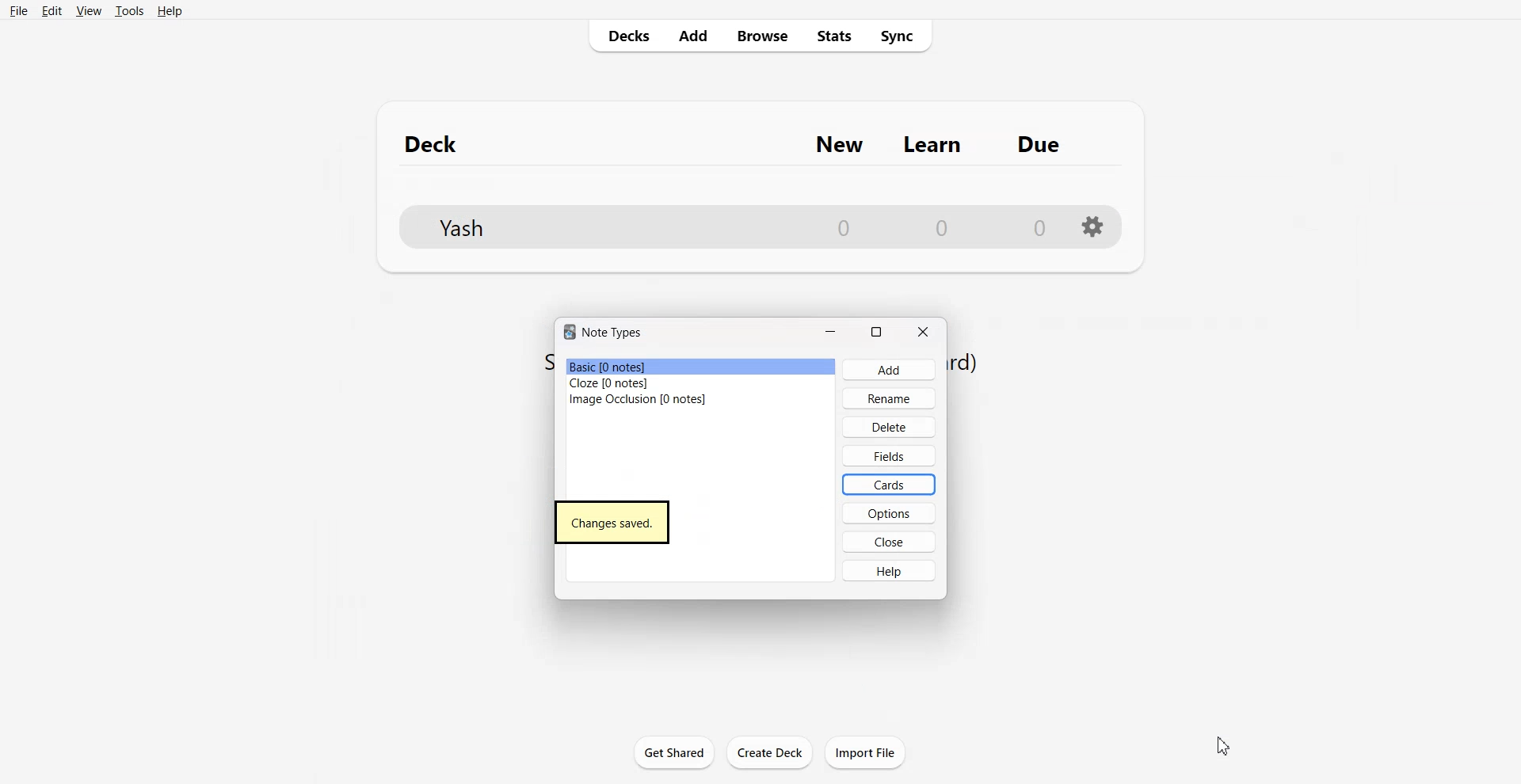 Image resolution: width=1521 pixels, height=784 pixels. Describe the element at coordinates (888, 370) in the screenshot. I see `Add` at that location.